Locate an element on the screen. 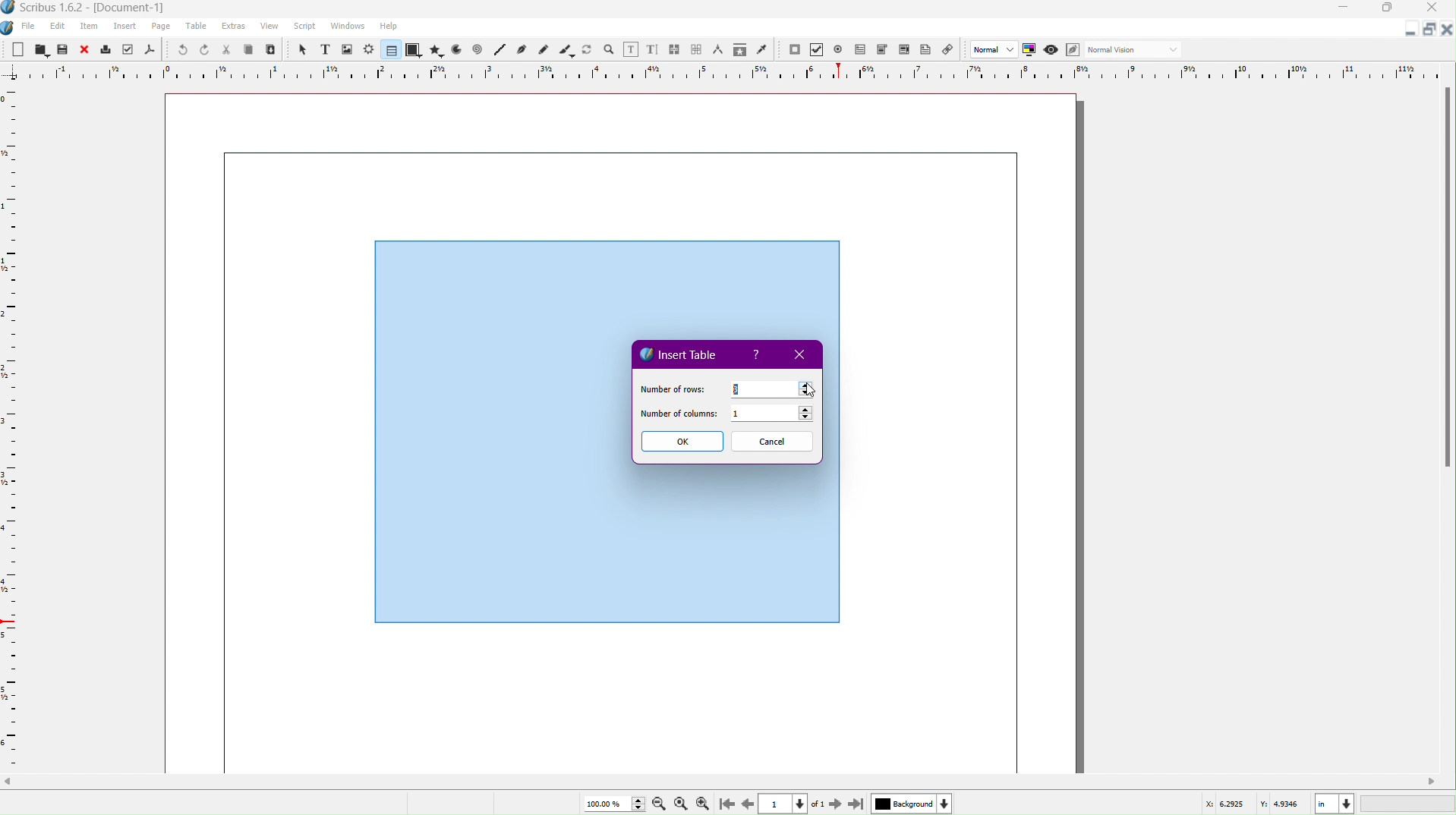  Select the visual appearance of the display is located at coordinates (1136, 50).